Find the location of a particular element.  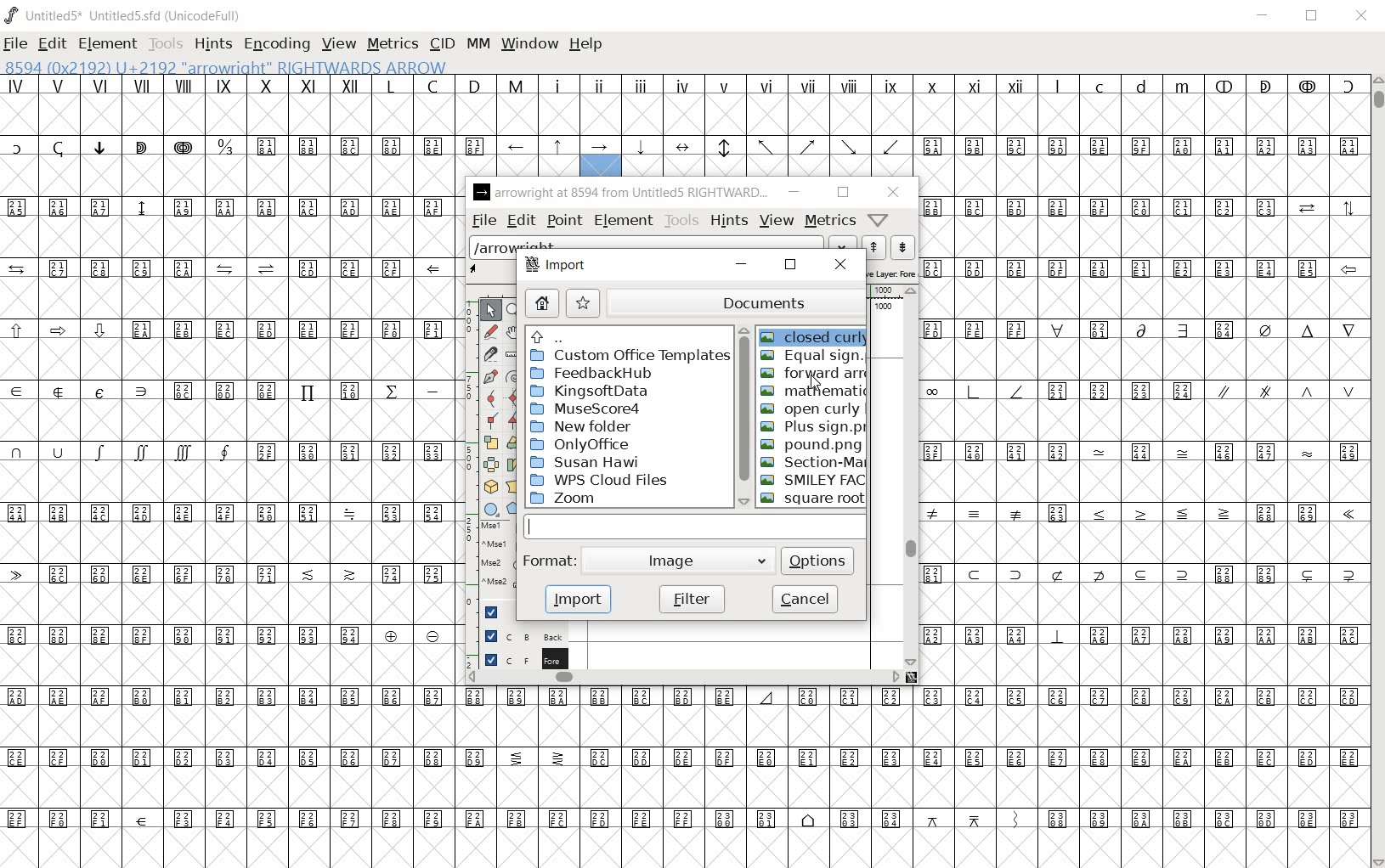

add a curve point is located at coordinates (490, 398).